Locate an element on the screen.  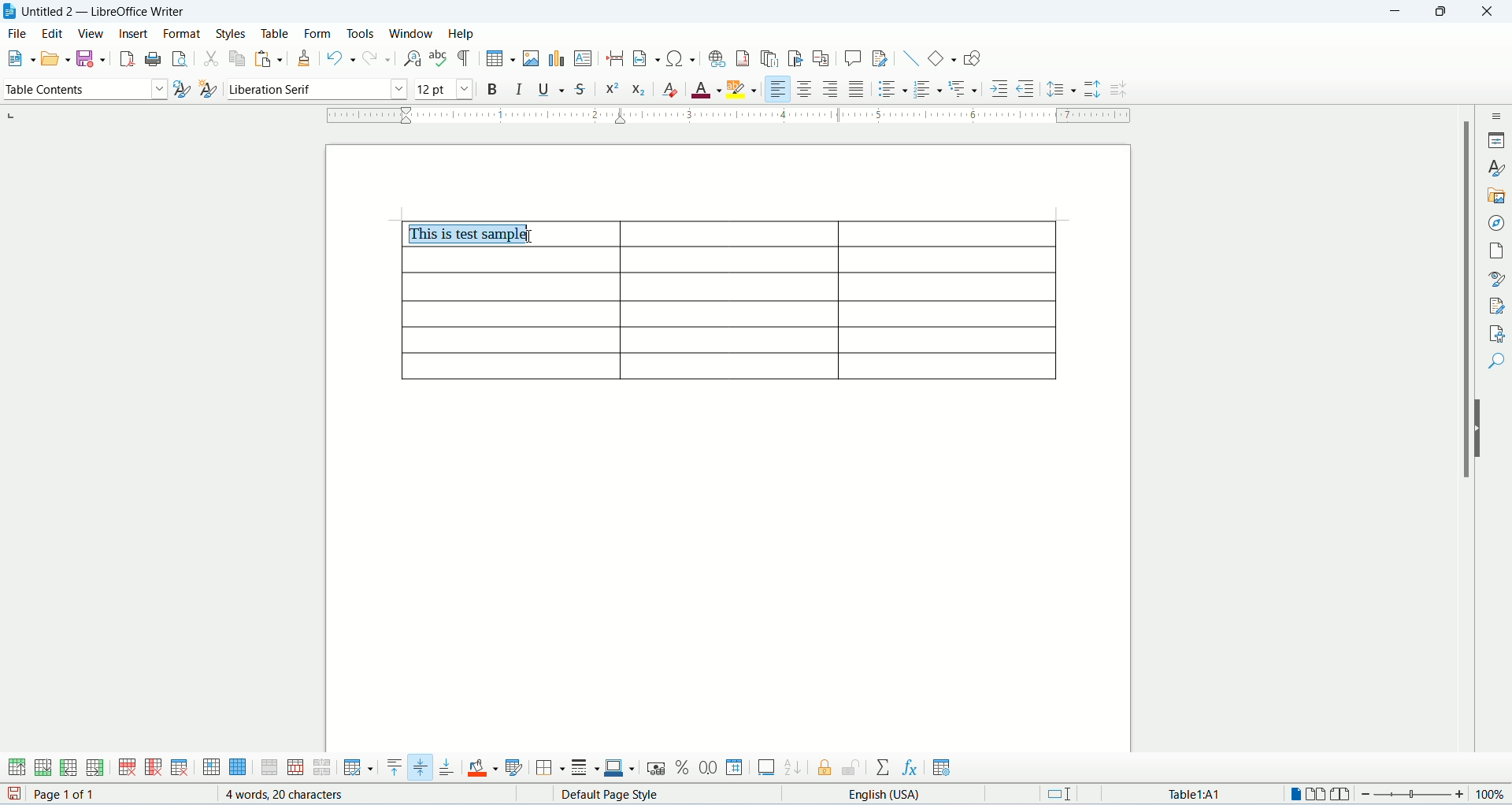
font color is located at coordinates (705, 87).